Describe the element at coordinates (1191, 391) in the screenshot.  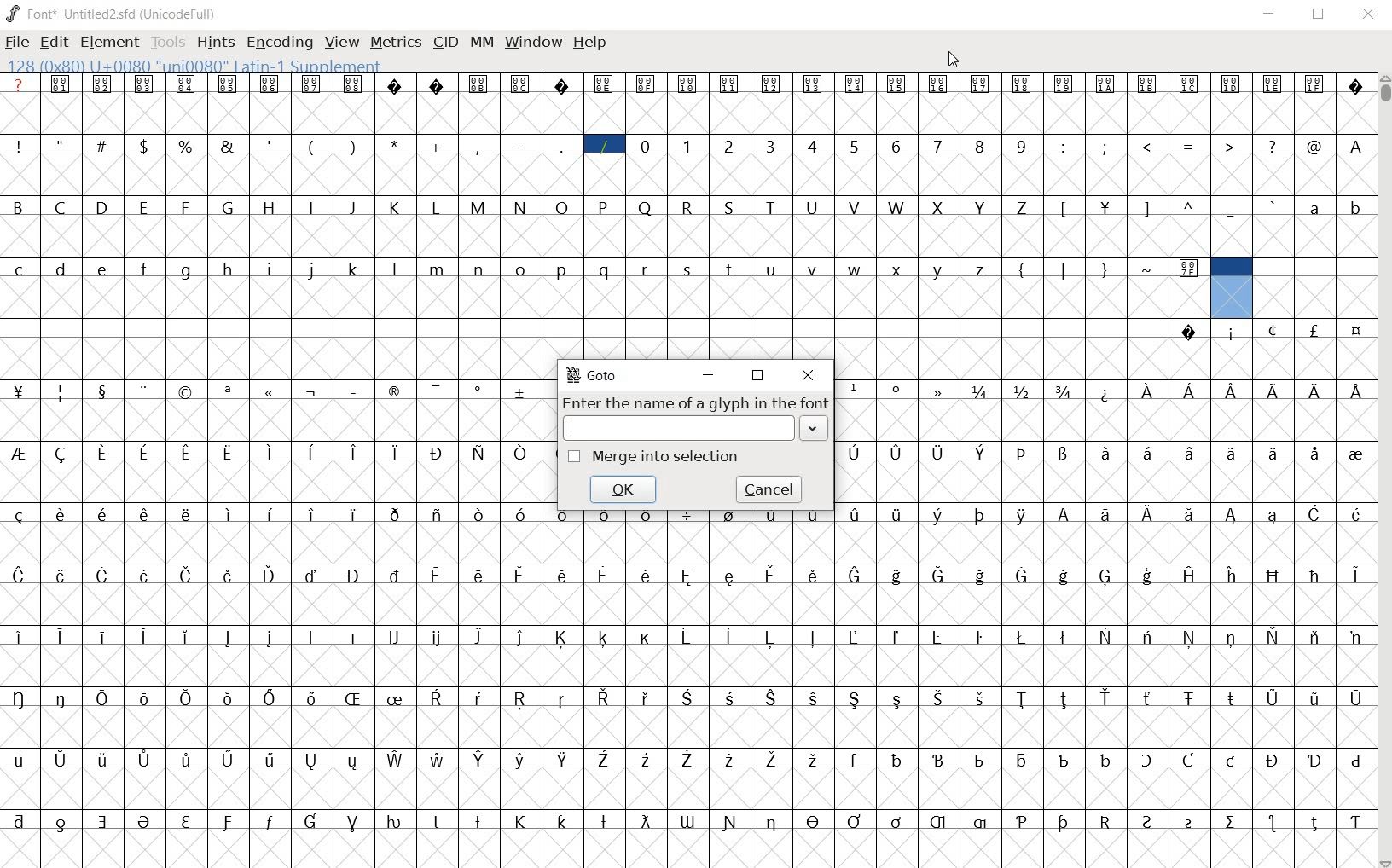
I see `Symbol` at that location.